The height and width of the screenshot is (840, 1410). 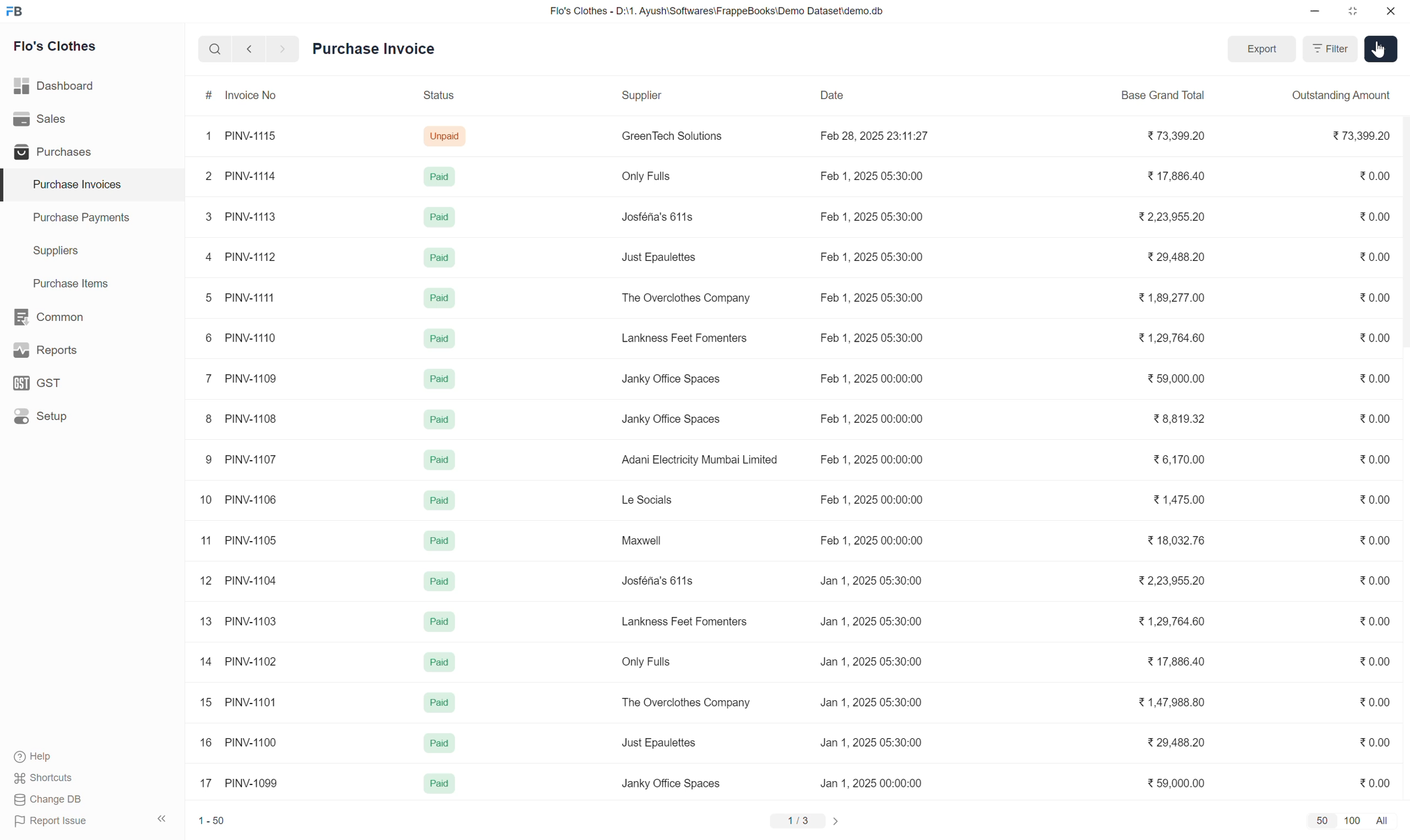 What do you see at coordinates (46, 758) in the screenshot?
I see ` Help` at bounding box center [46, 758].